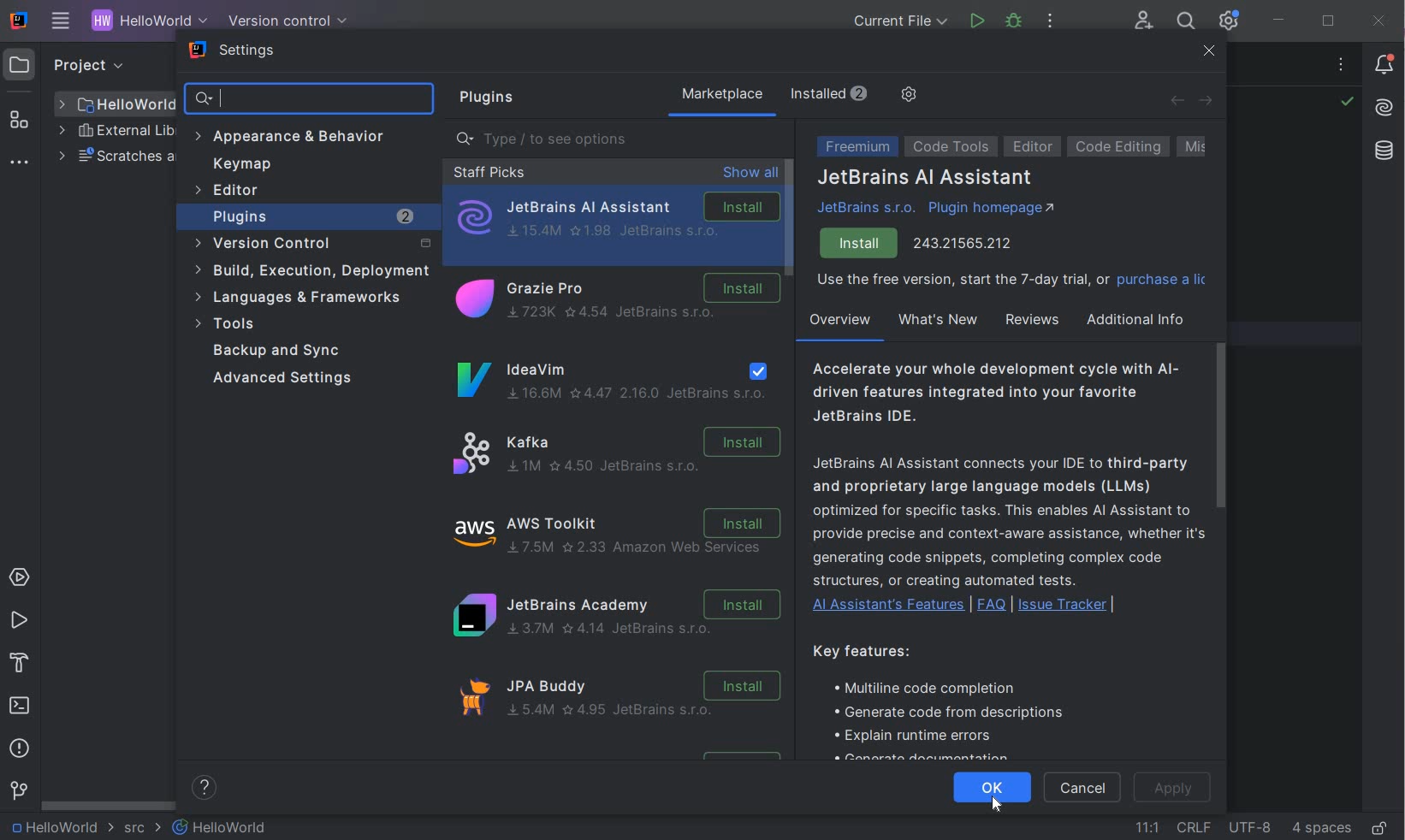  Describe the element at coordinates (1185, 23) in the screenshot. I see `SEARCH EVERYWHERE` at that location.